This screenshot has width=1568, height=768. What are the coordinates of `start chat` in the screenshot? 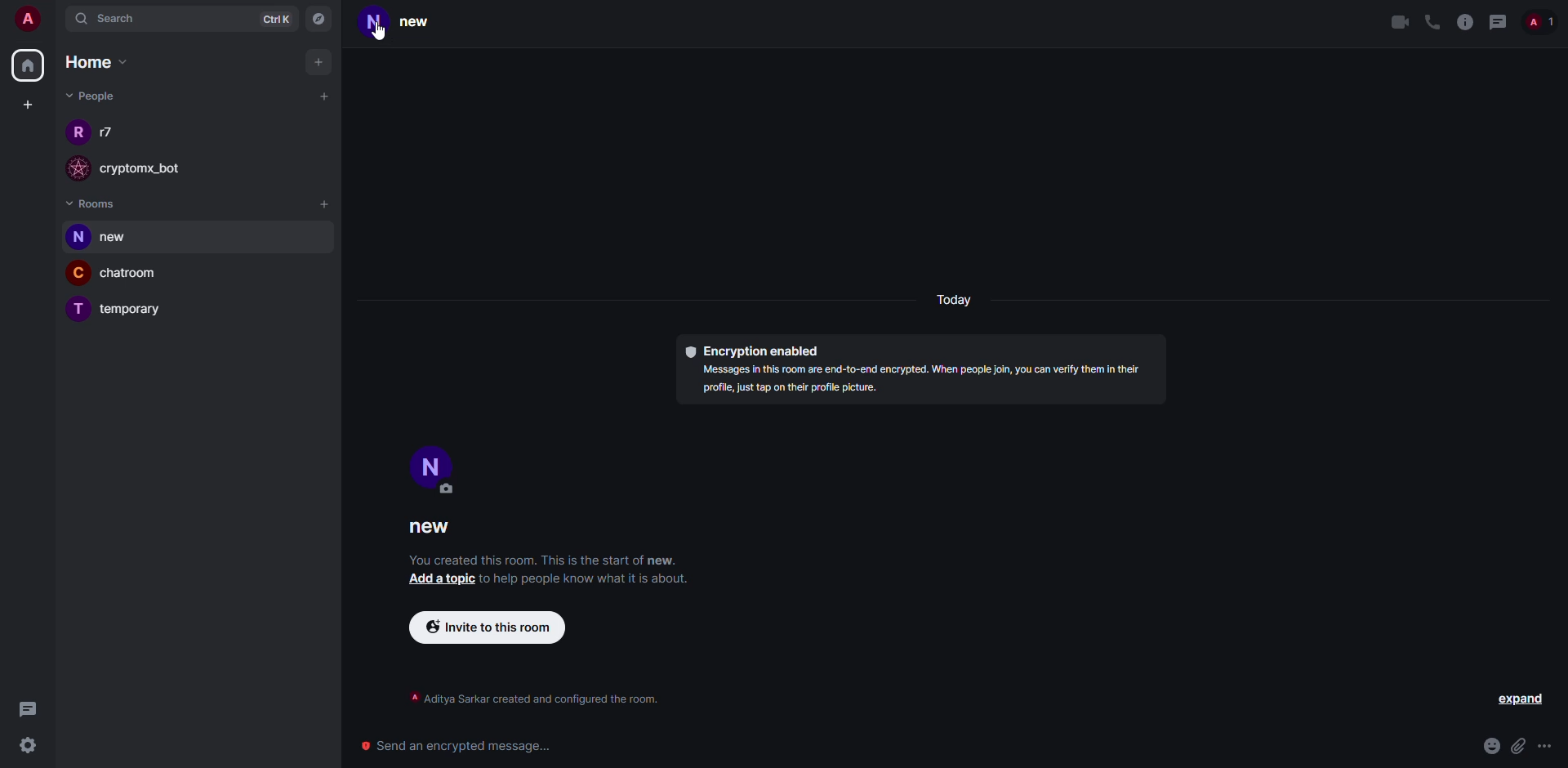 It's located at (323, 96).